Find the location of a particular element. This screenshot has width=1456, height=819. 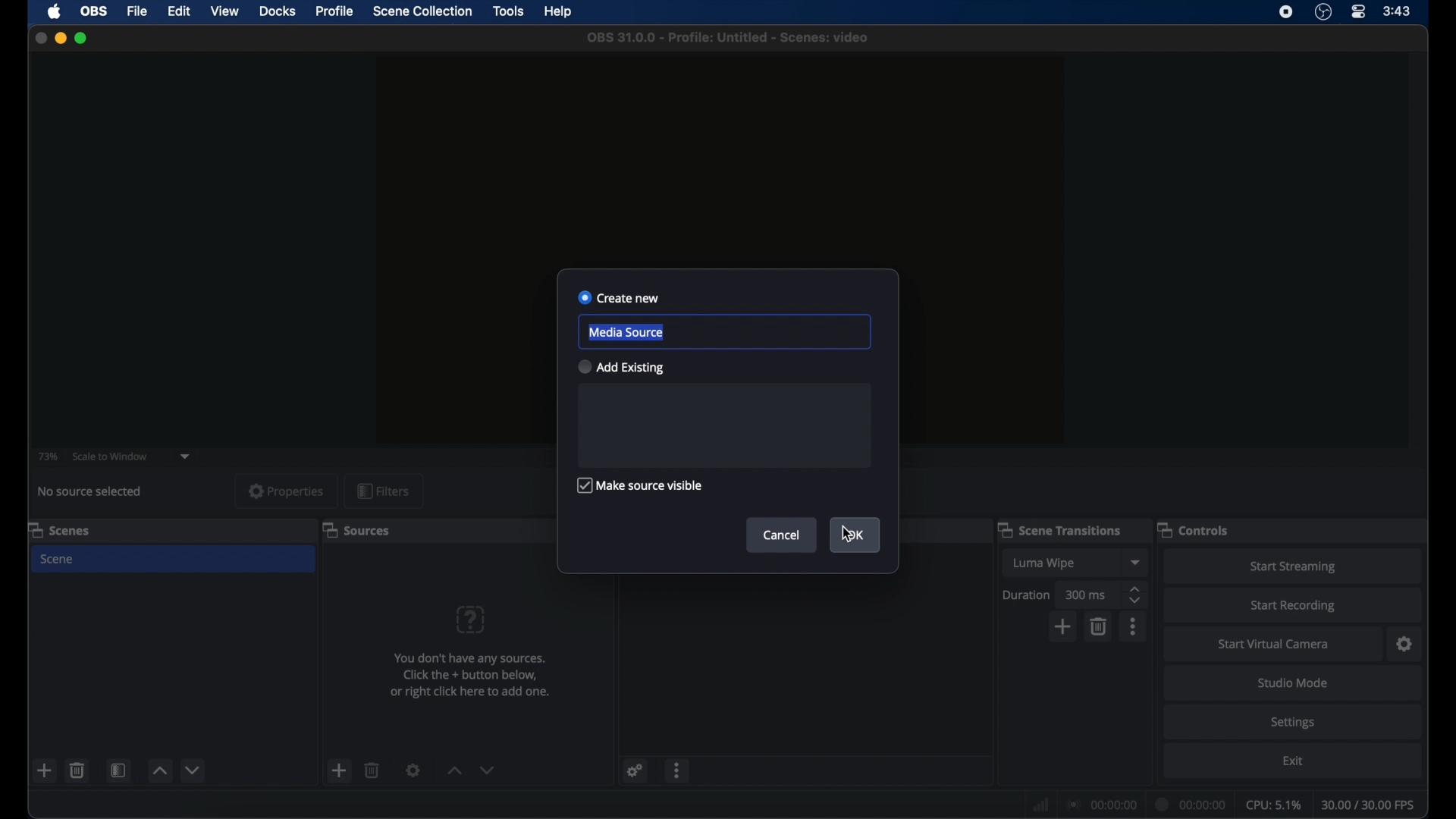

start streaming is located at coordinates (1294, 567).